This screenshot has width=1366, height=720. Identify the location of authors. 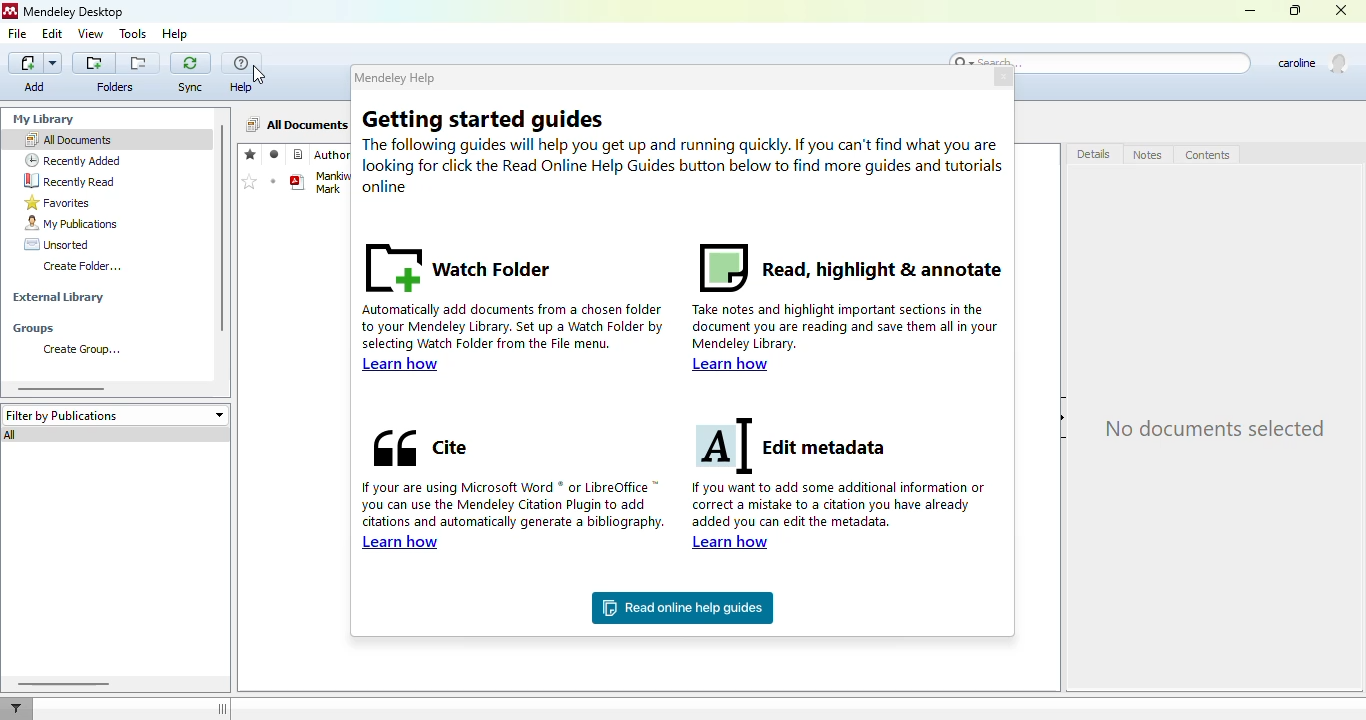
(331, 154).